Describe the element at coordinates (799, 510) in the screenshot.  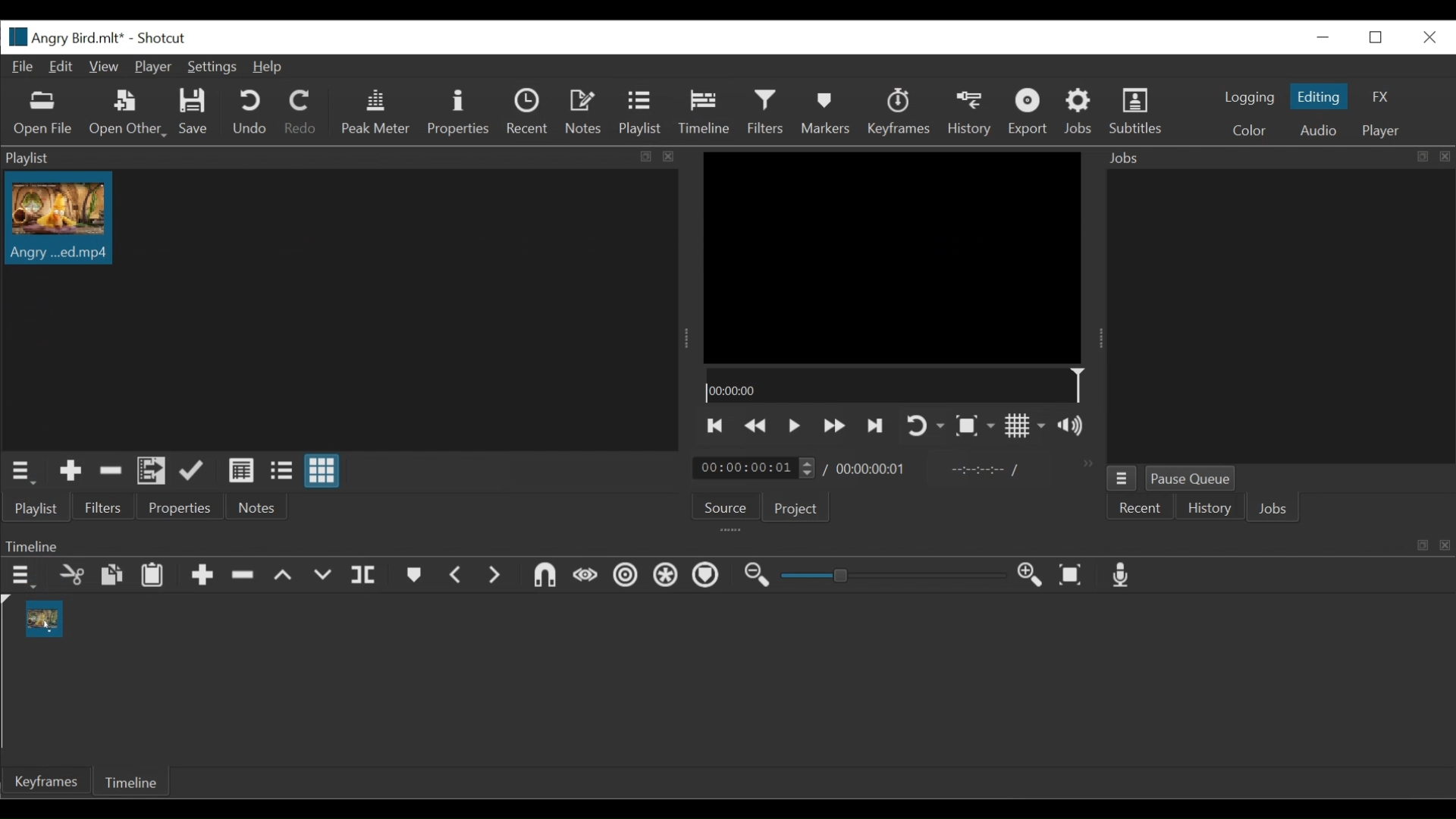
I see `Project` at that location.